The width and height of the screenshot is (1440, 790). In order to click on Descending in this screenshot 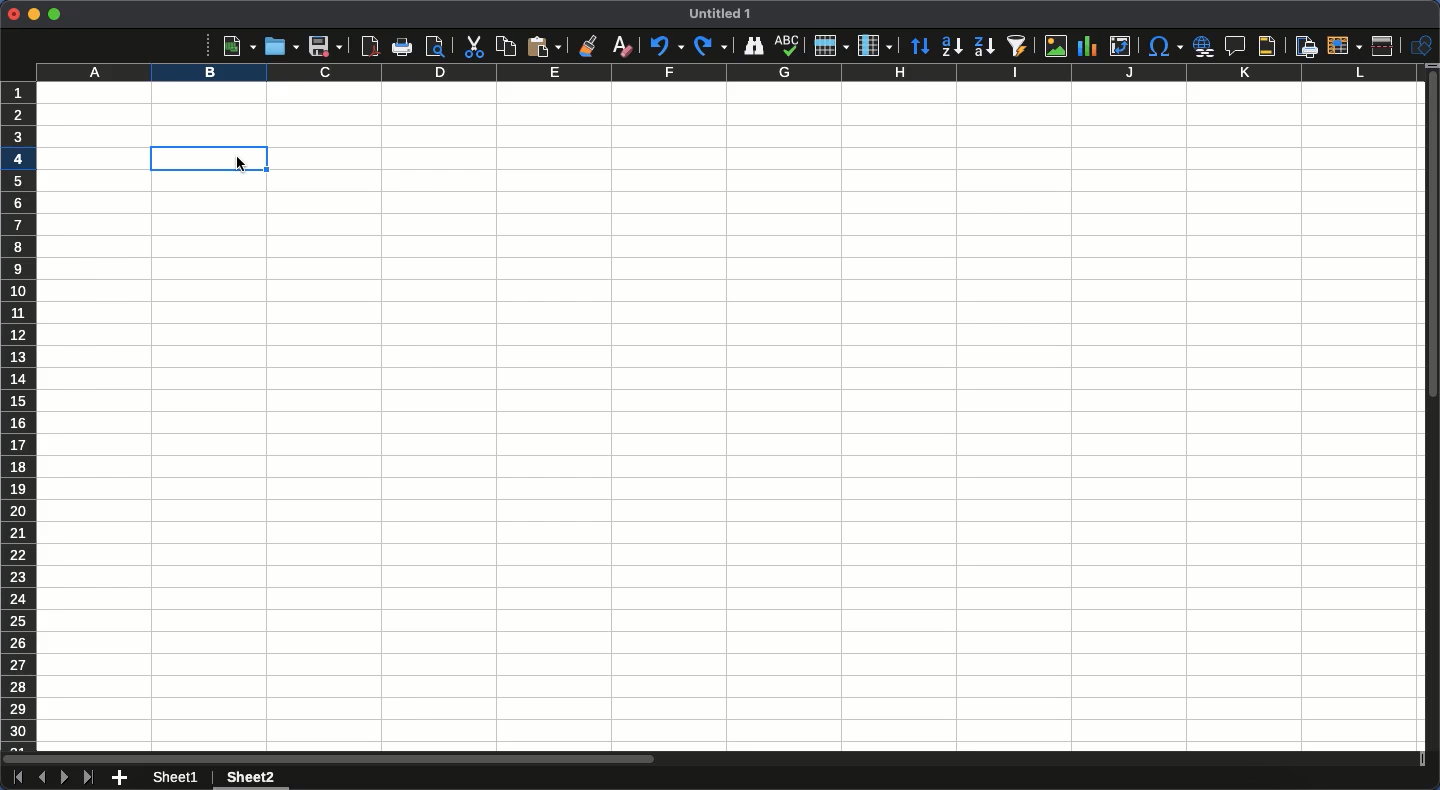, I will do `click(983, 47)`.